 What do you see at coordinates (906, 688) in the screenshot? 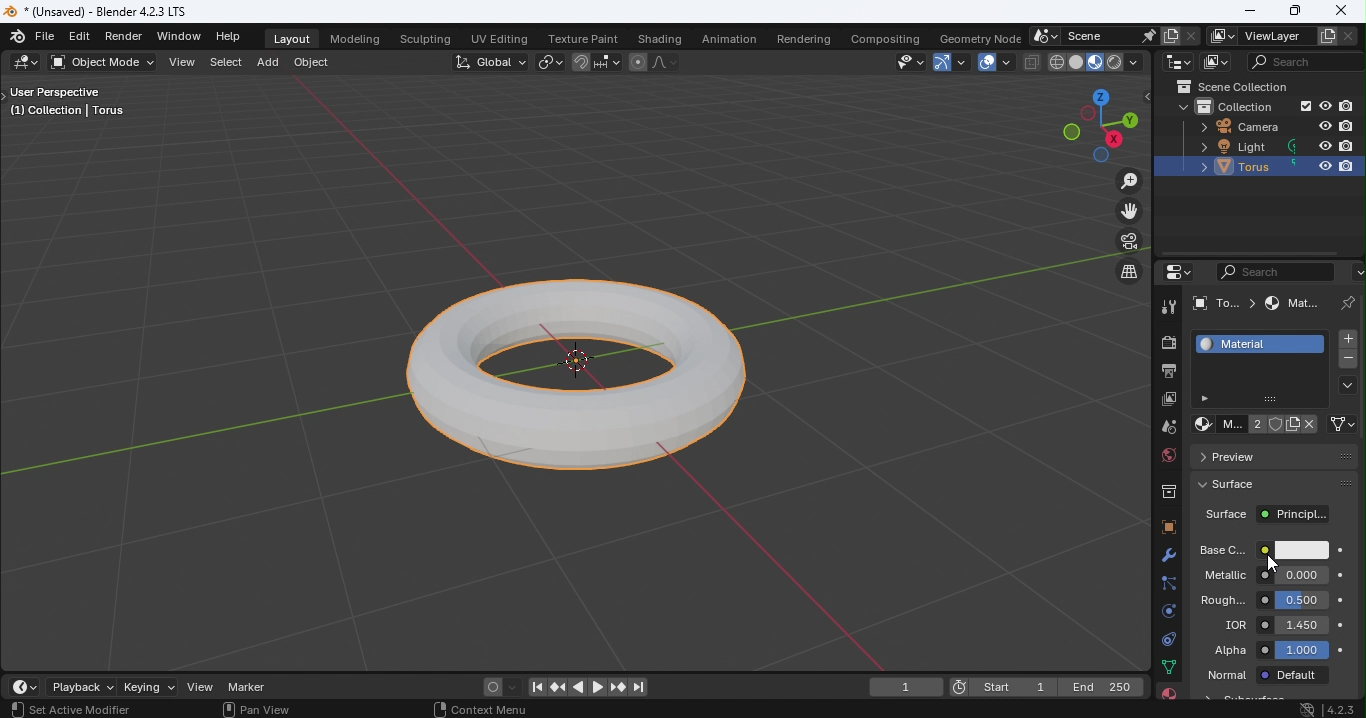
I see `current frame` at bounding box center [906, 688].